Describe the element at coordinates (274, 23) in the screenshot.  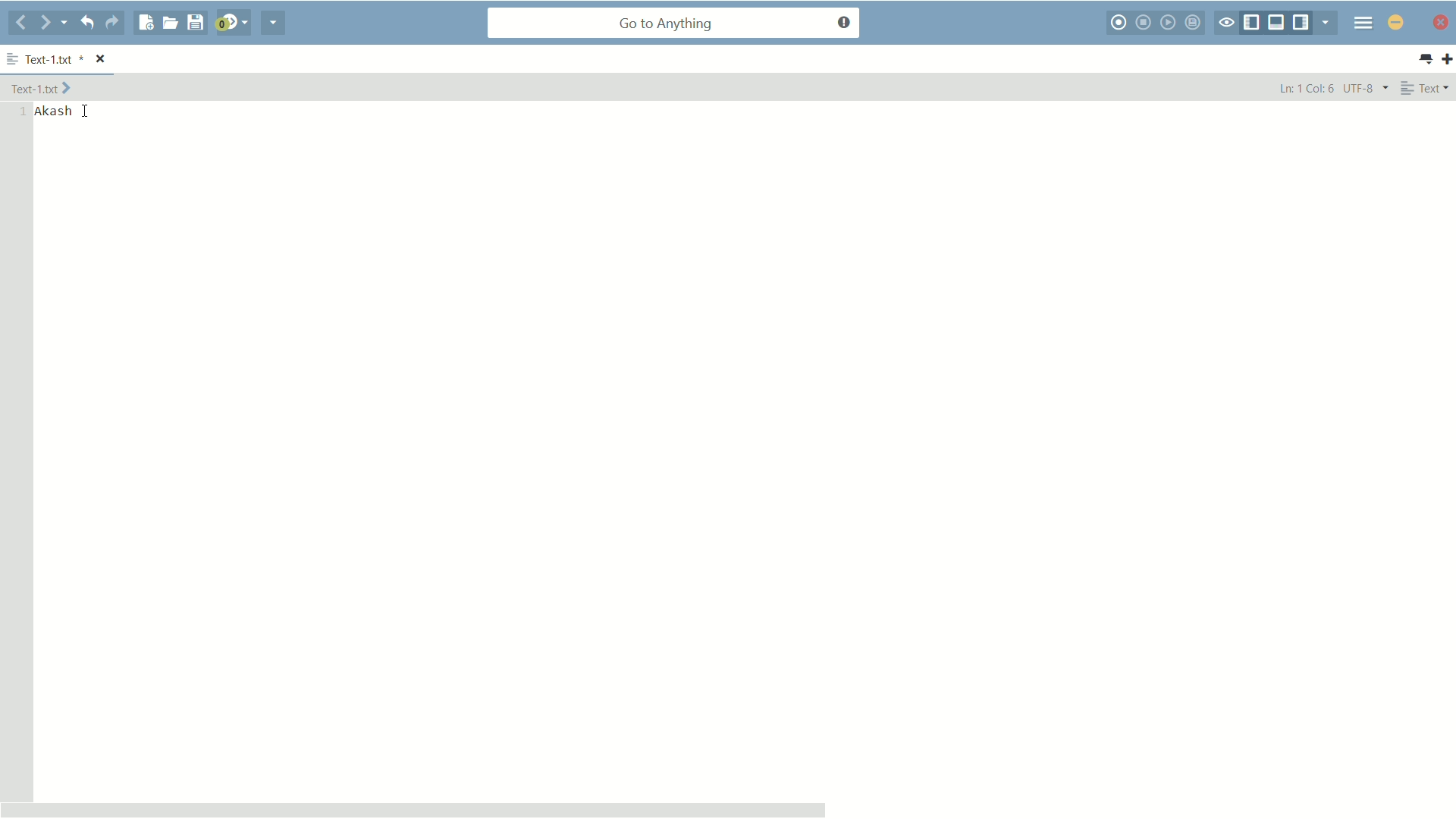
I see `share current file` at that location.